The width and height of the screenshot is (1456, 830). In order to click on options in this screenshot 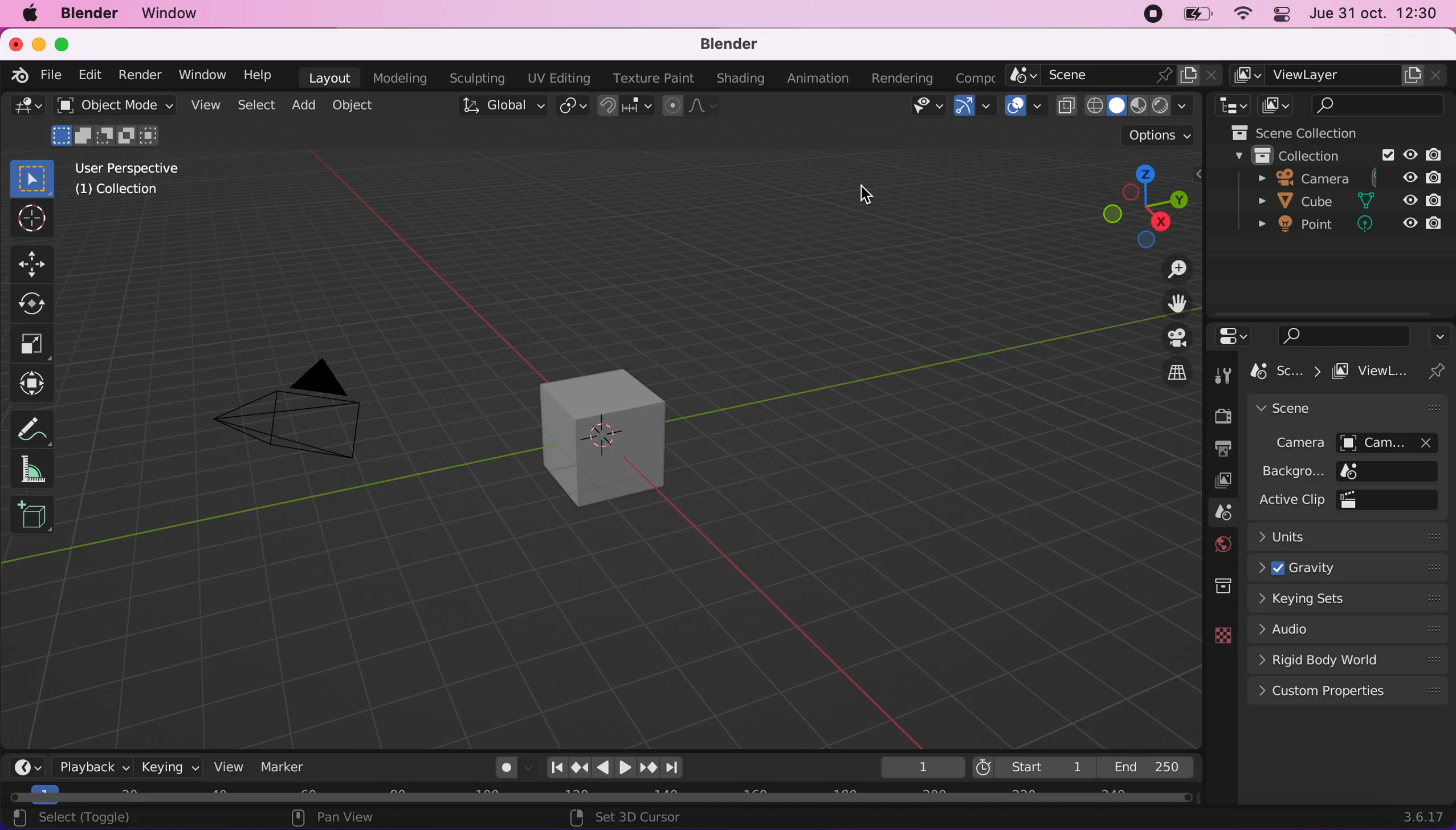, I will do `click(1438, 335)`.